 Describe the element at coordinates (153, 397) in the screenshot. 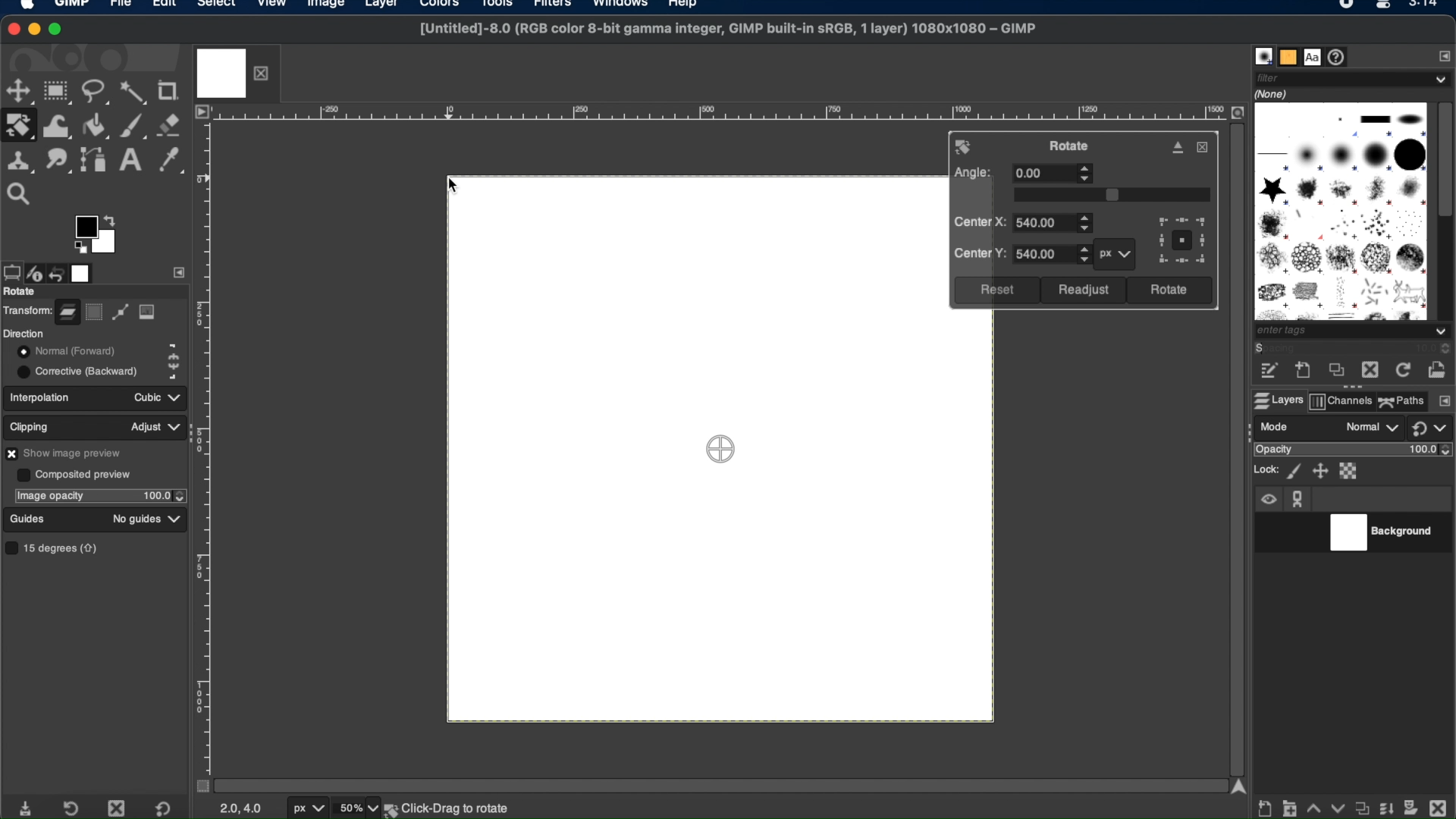

I see `cubic dropdown` at that location.